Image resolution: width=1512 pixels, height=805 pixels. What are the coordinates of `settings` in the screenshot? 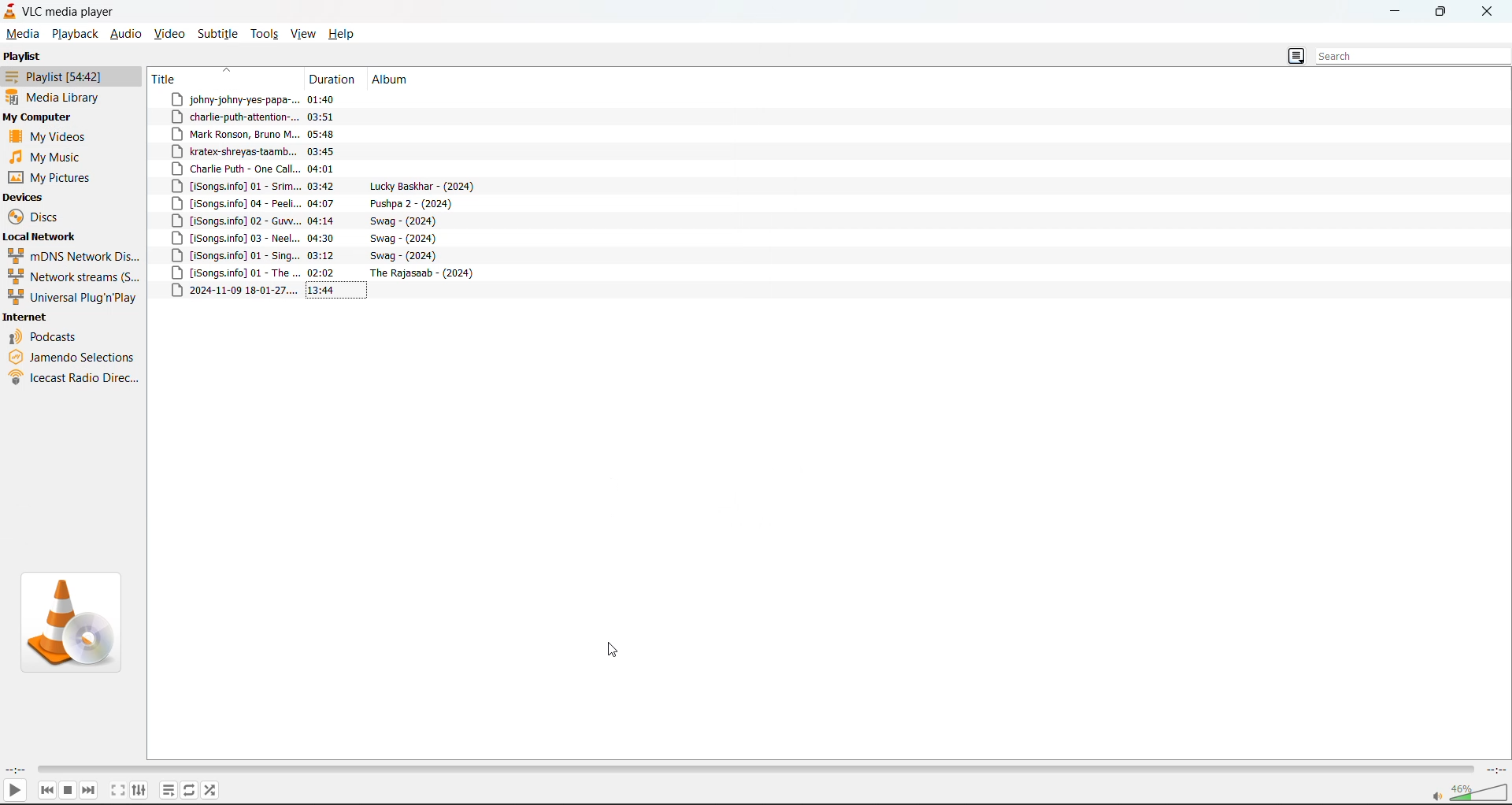 It's located at (141, 789).